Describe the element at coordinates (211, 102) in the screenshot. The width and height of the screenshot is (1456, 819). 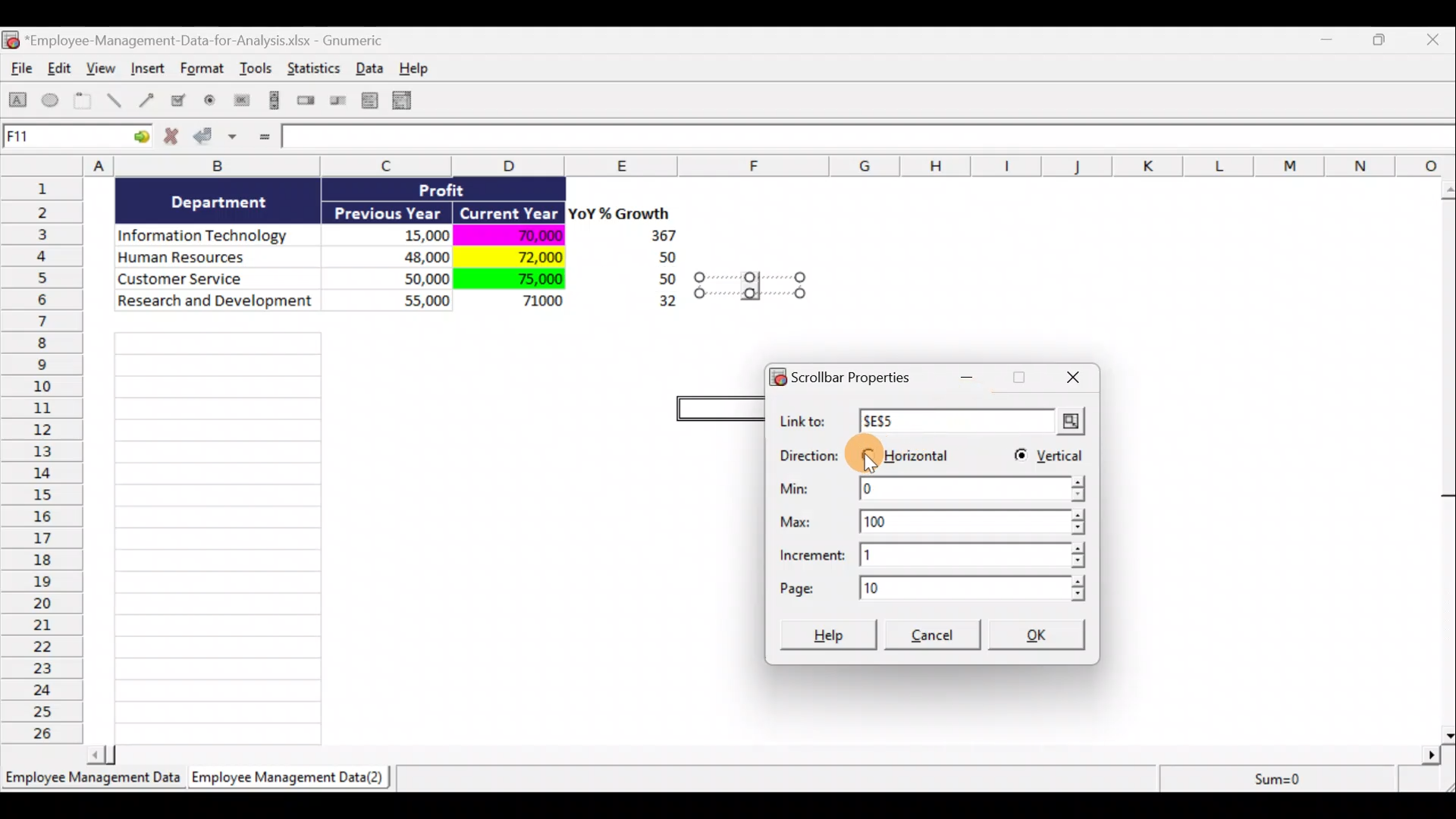
I see `Create a radio button` at that location.